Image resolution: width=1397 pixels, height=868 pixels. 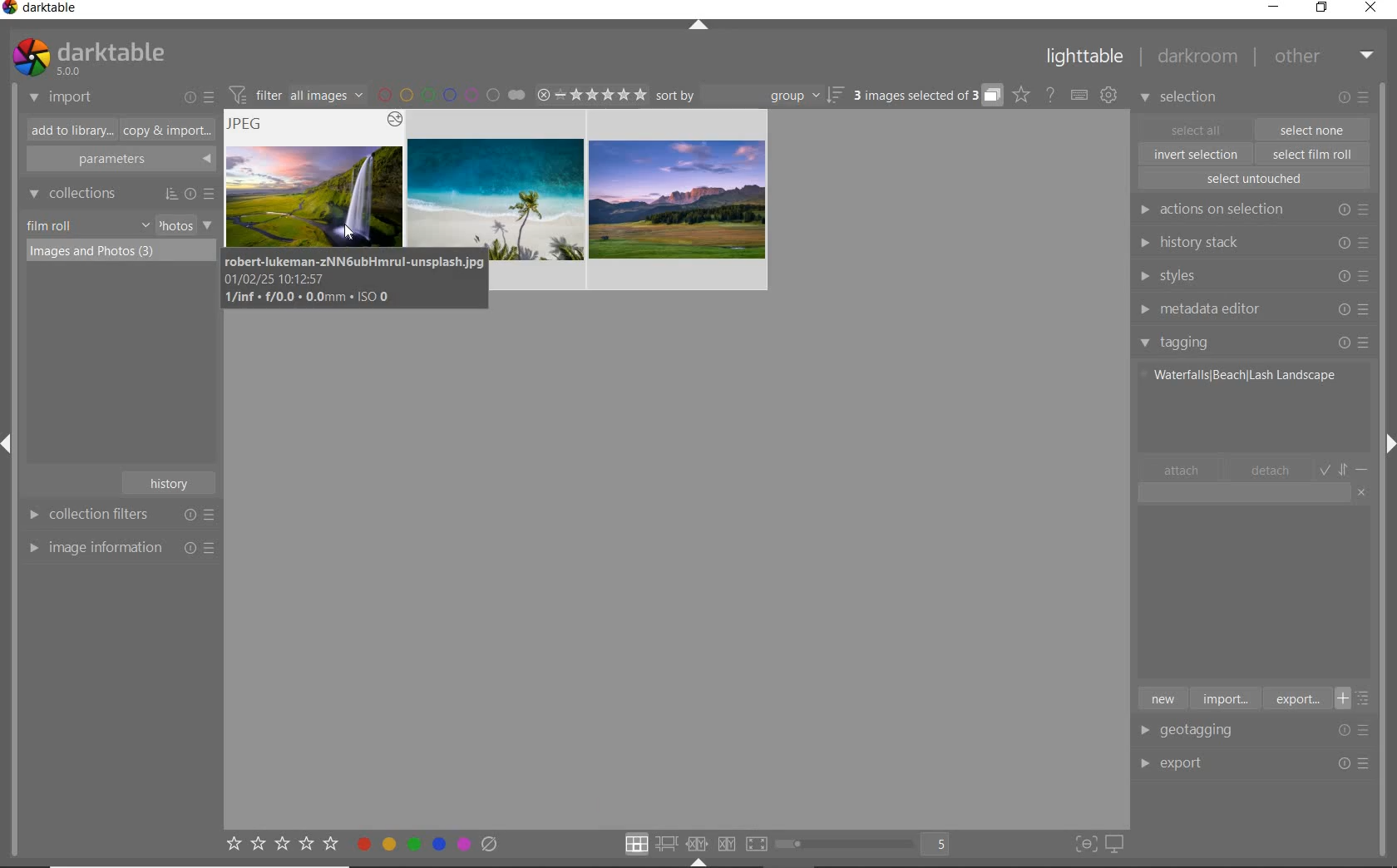 What do you see at coordinates (591, 92) in the screenshot?
I see `range ratings of selected images` at bounding box center [591, 92].